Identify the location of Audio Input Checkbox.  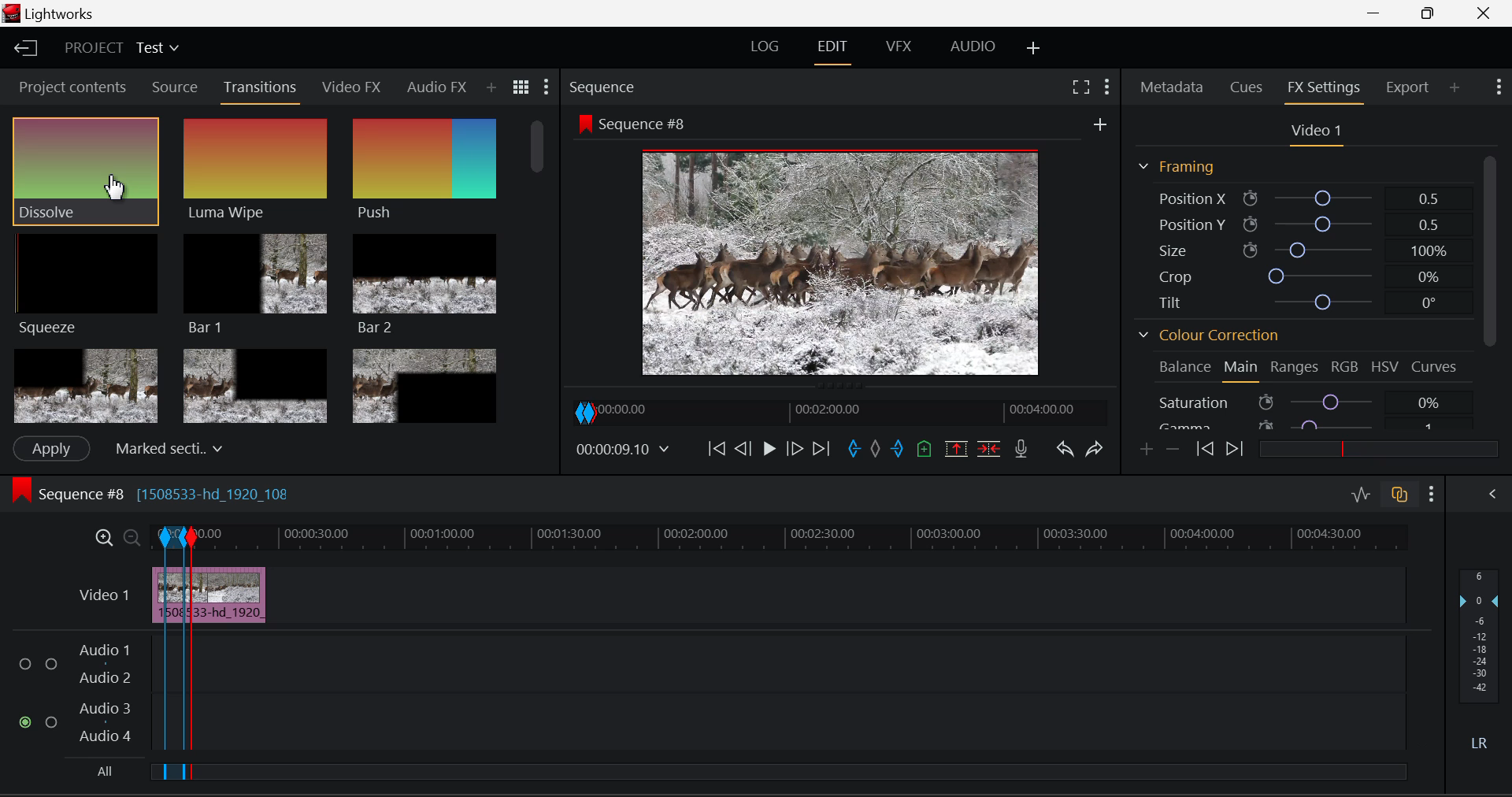
(27, 723).